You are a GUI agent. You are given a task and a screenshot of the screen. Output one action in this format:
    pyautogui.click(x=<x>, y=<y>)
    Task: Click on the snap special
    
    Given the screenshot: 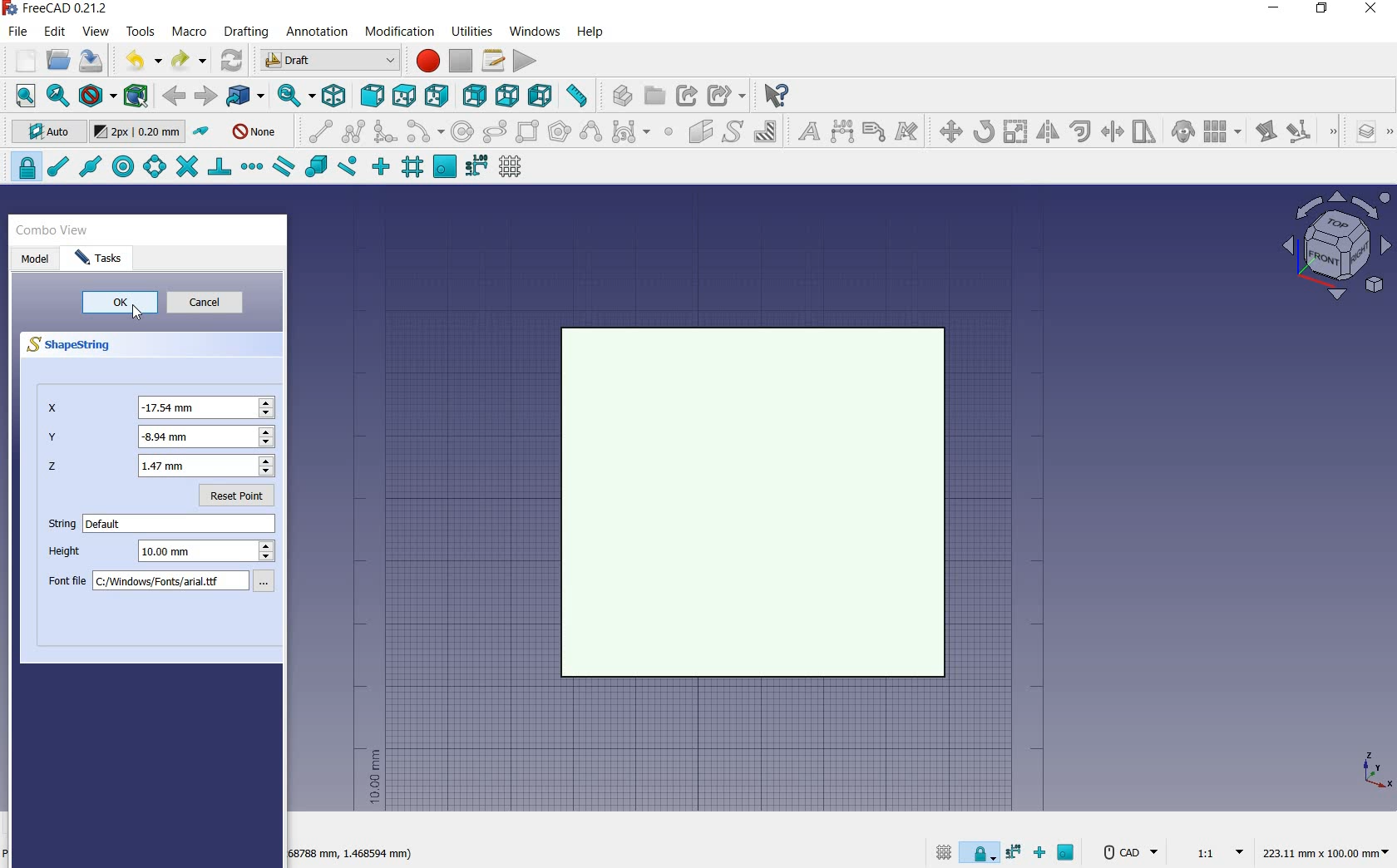 What is the action you would take?
    pyautogui.click(x=314, y=167)
    